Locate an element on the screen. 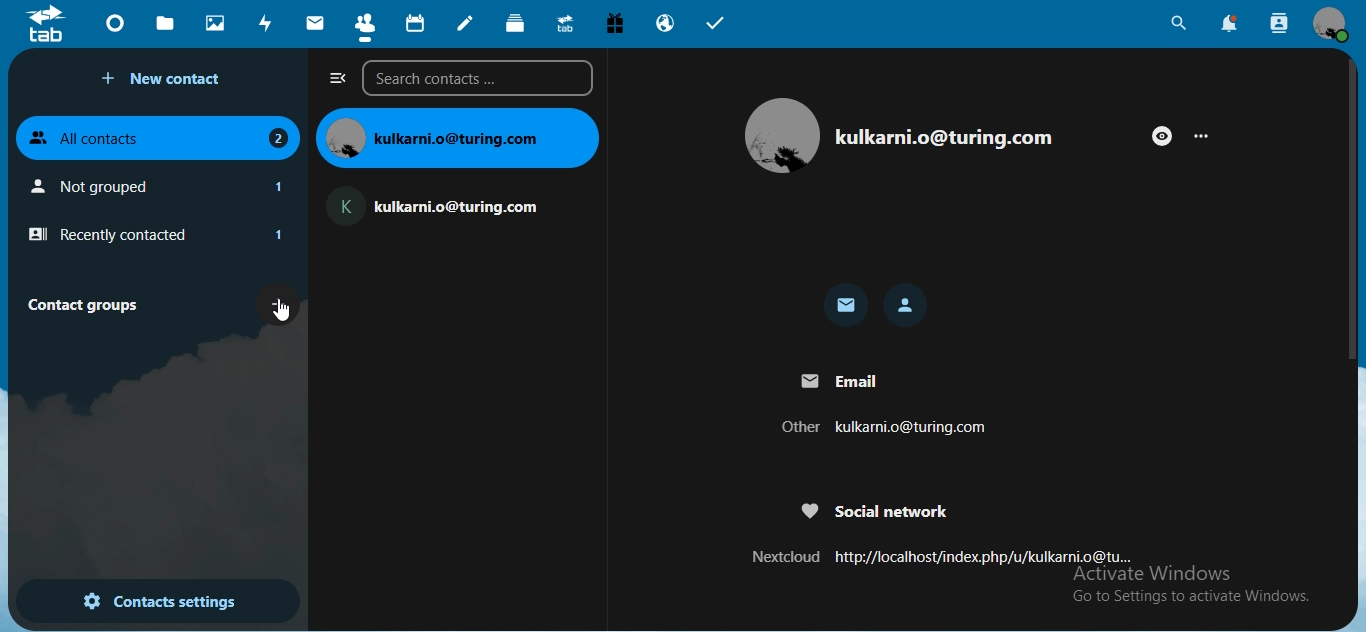 The image size is (1366, 632).  Social network is located at coordinates (869, 514).